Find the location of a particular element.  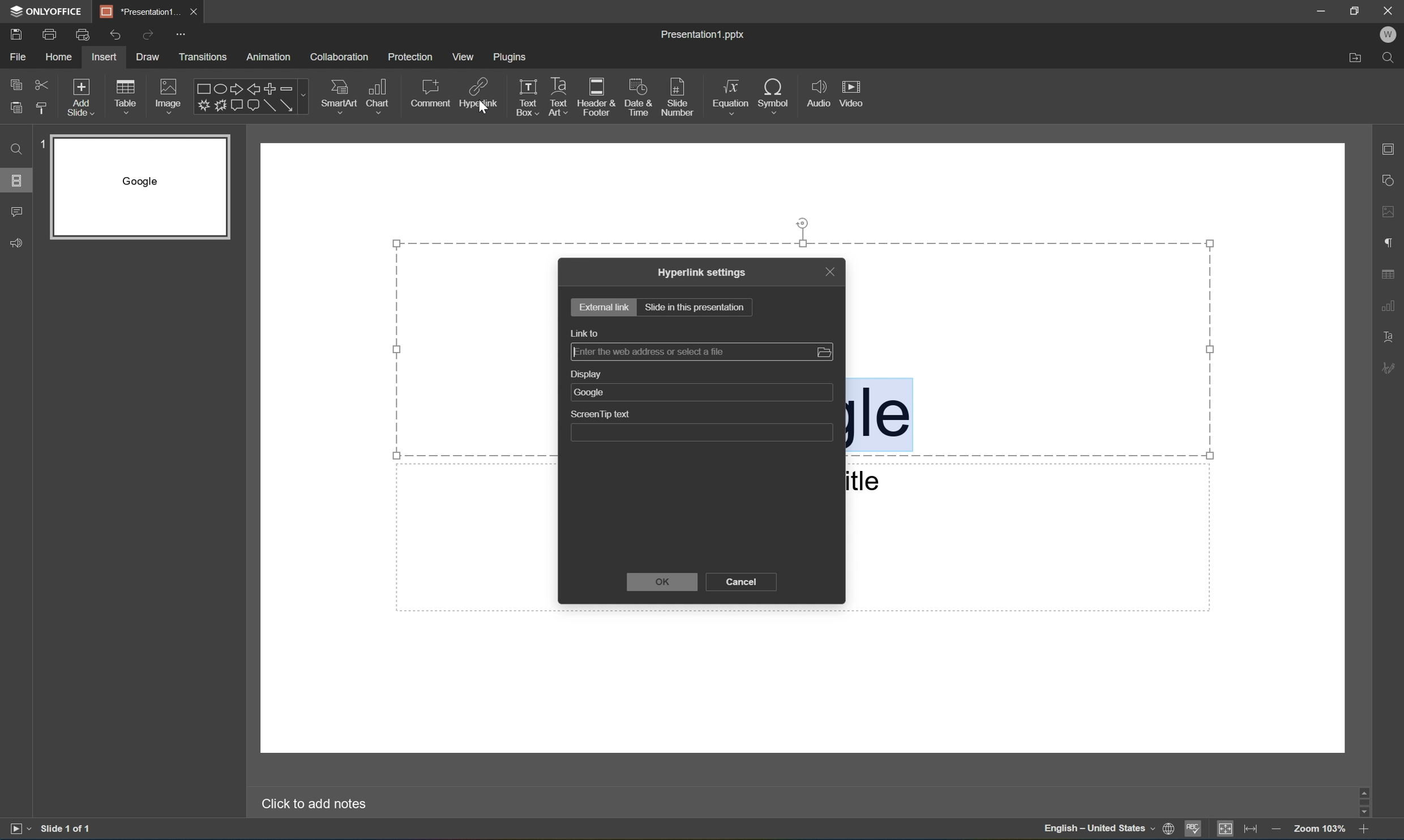

Animation is located at coordinates (272, 57).